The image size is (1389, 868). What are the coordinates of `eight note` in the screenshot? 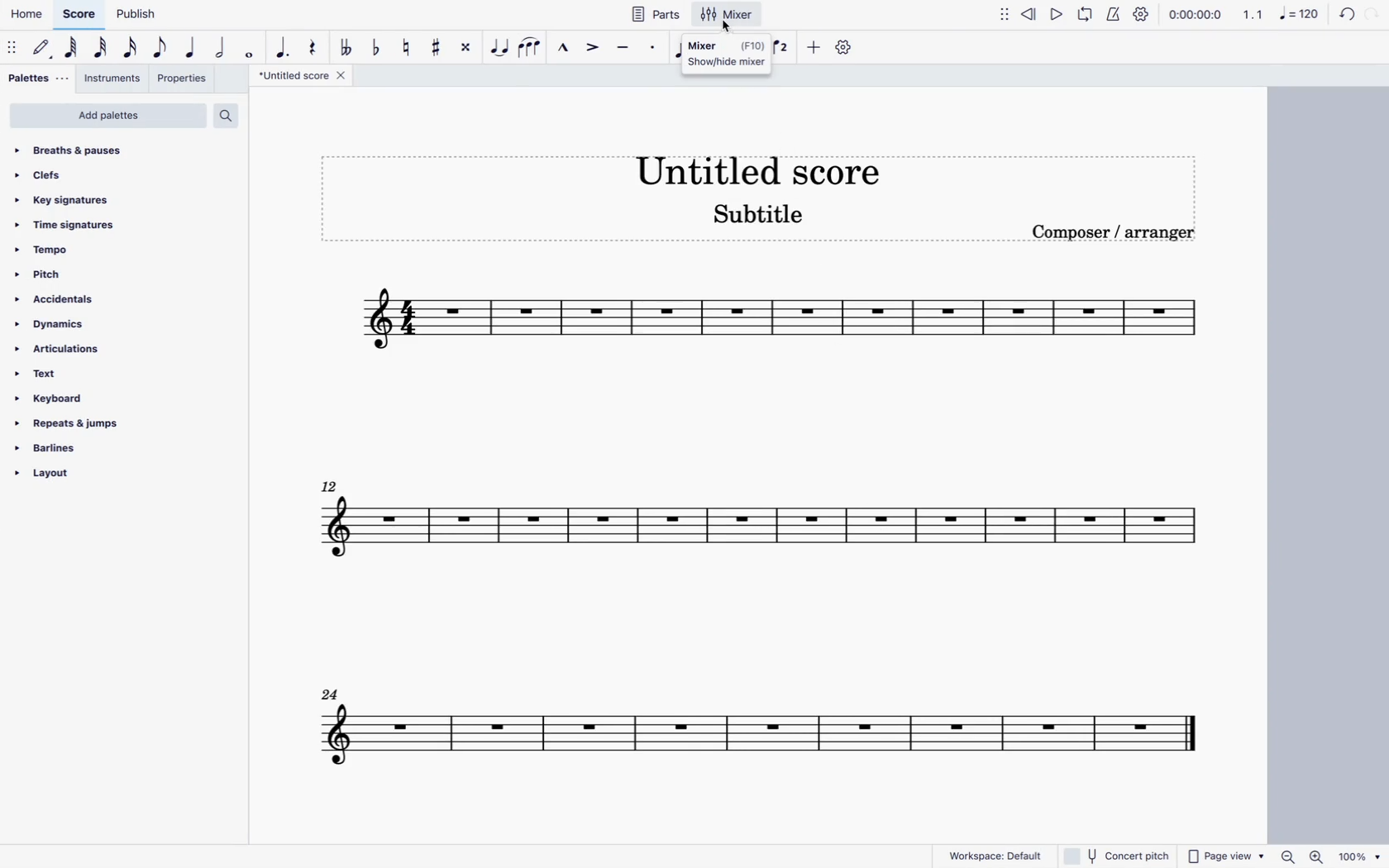 It's located at (161, 50).